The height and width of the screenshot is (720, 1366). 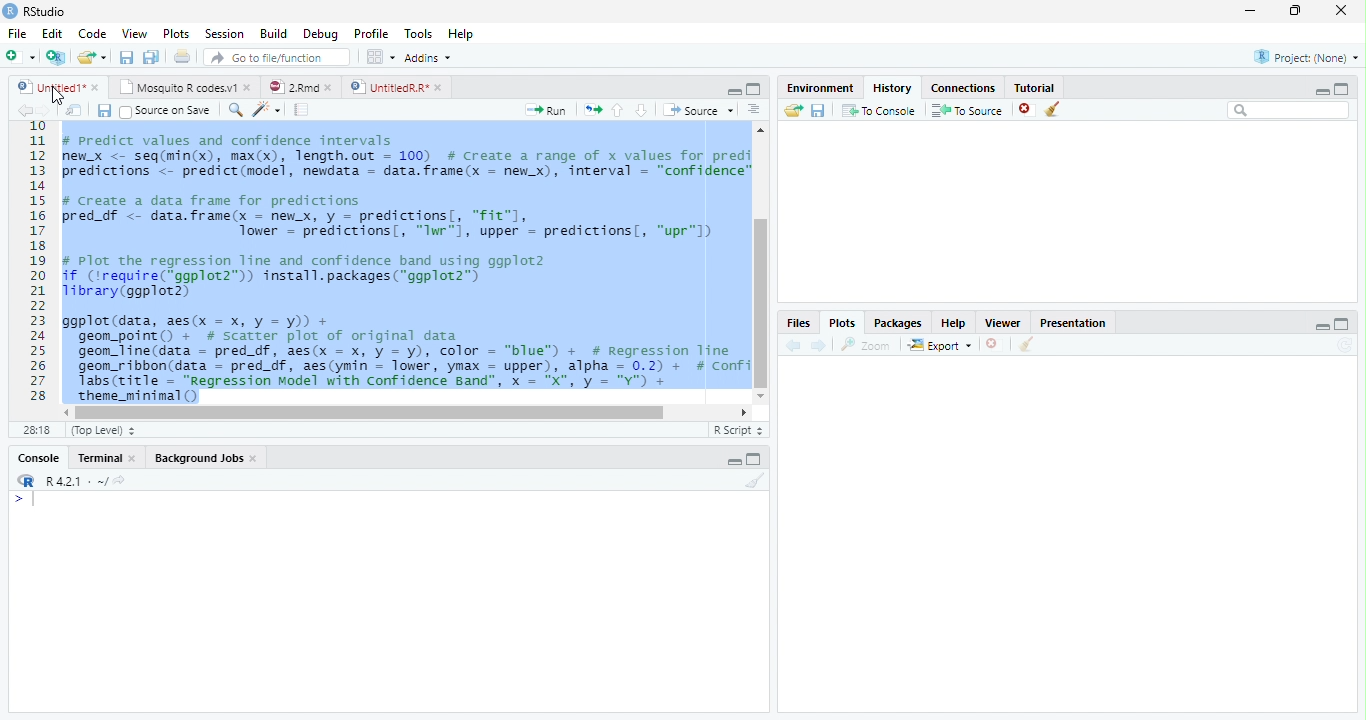 What do you see at coordinates (789, 346) in the screenshot?
I see `Back` at bounding box center [789, 346].